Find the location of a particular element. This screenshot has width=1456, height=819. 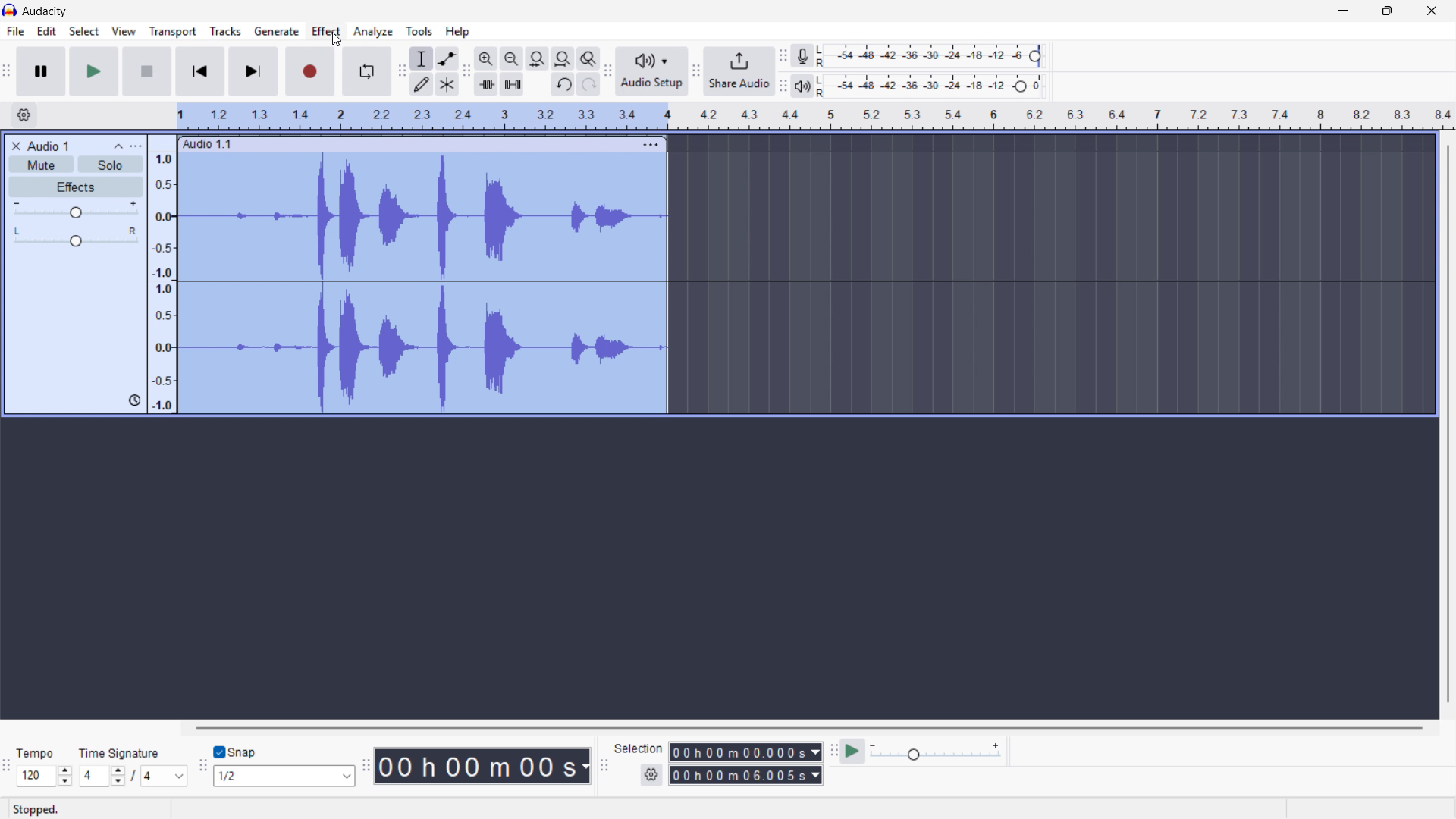

Title  is located at coordinates (45, 11).